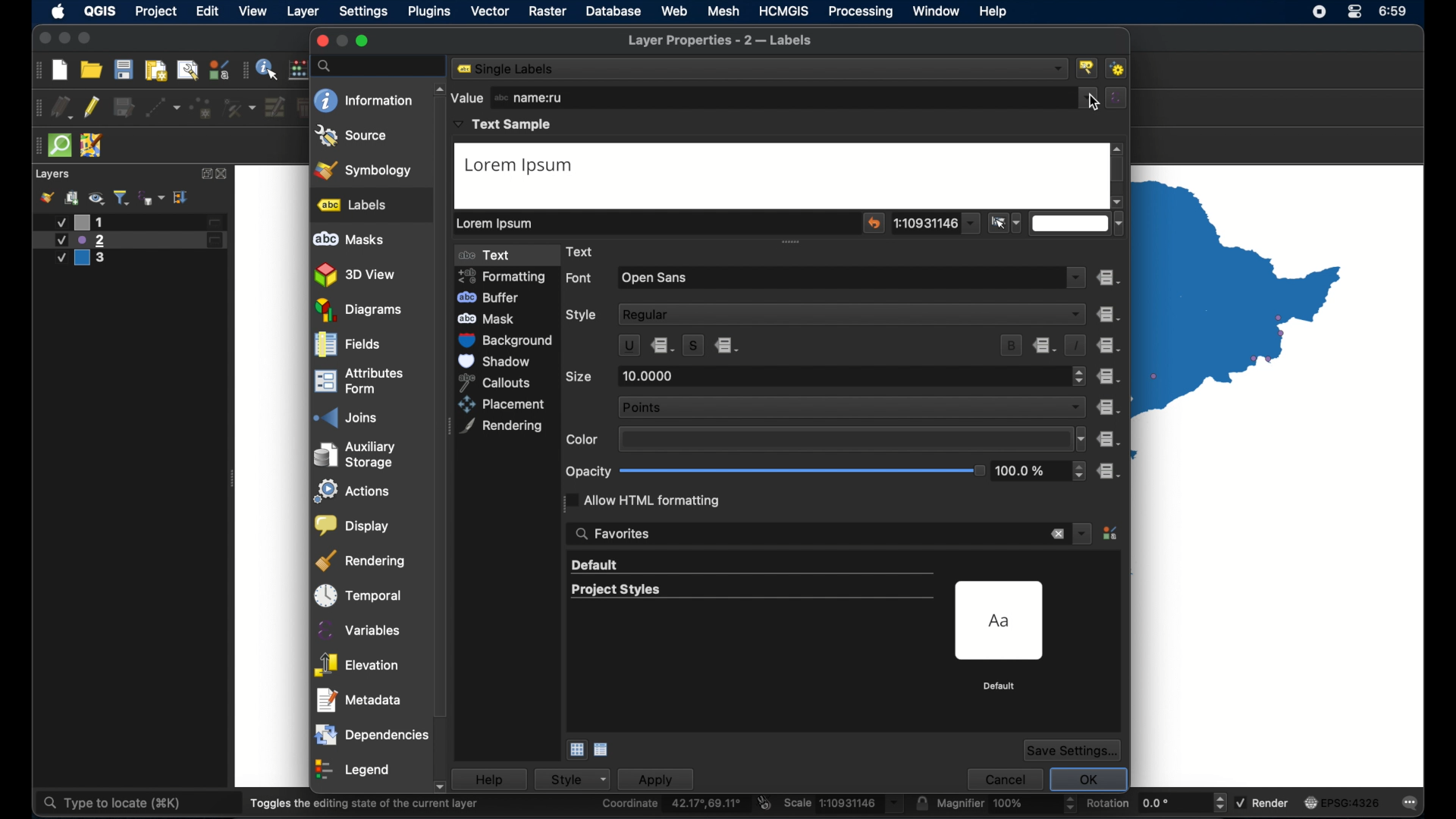 This screenshot has height=819, width=1456. Describe the element at coordinates (59, 71) in the screenshot. I see `new` at that location.